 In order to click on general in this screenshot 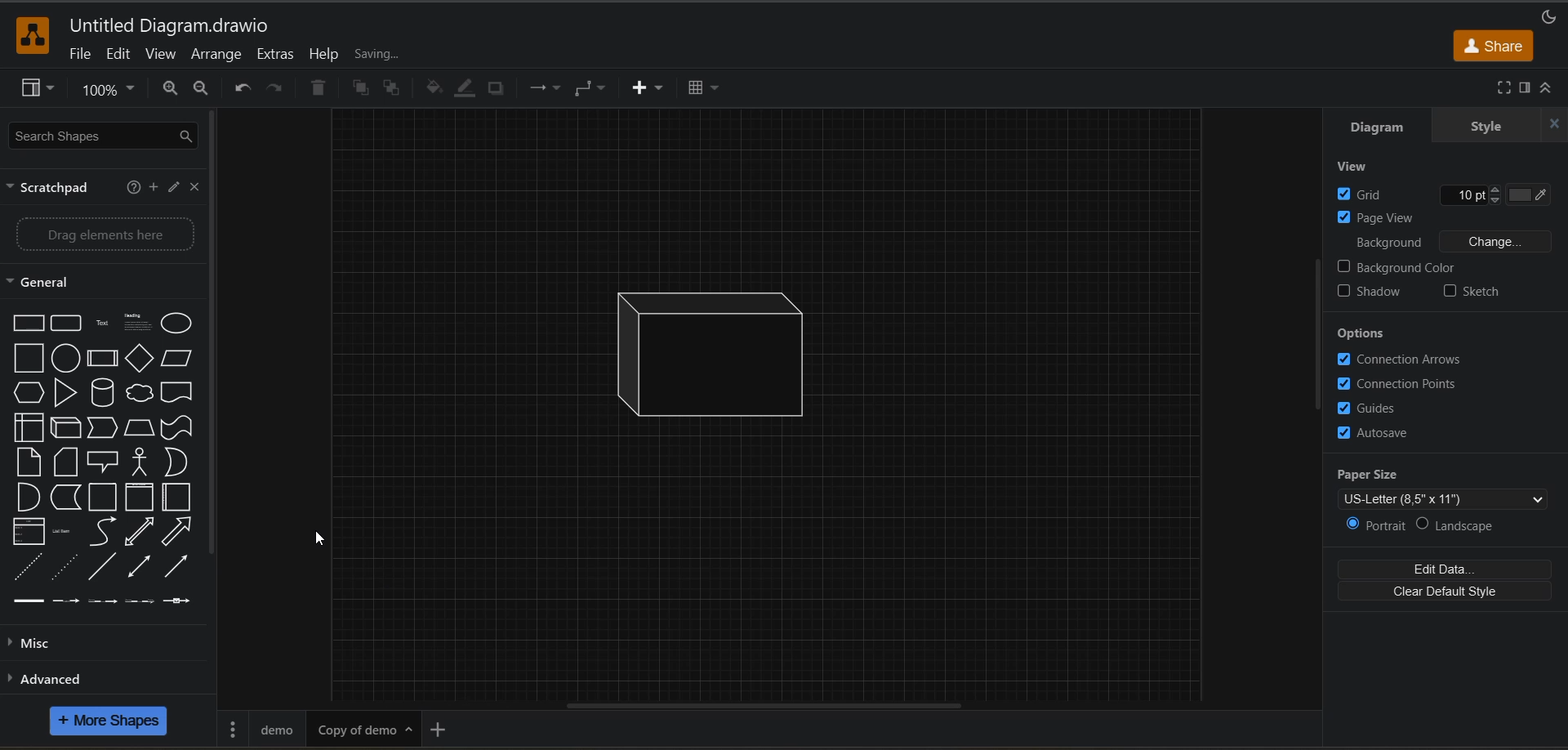, I will do `click(42, 283)`.